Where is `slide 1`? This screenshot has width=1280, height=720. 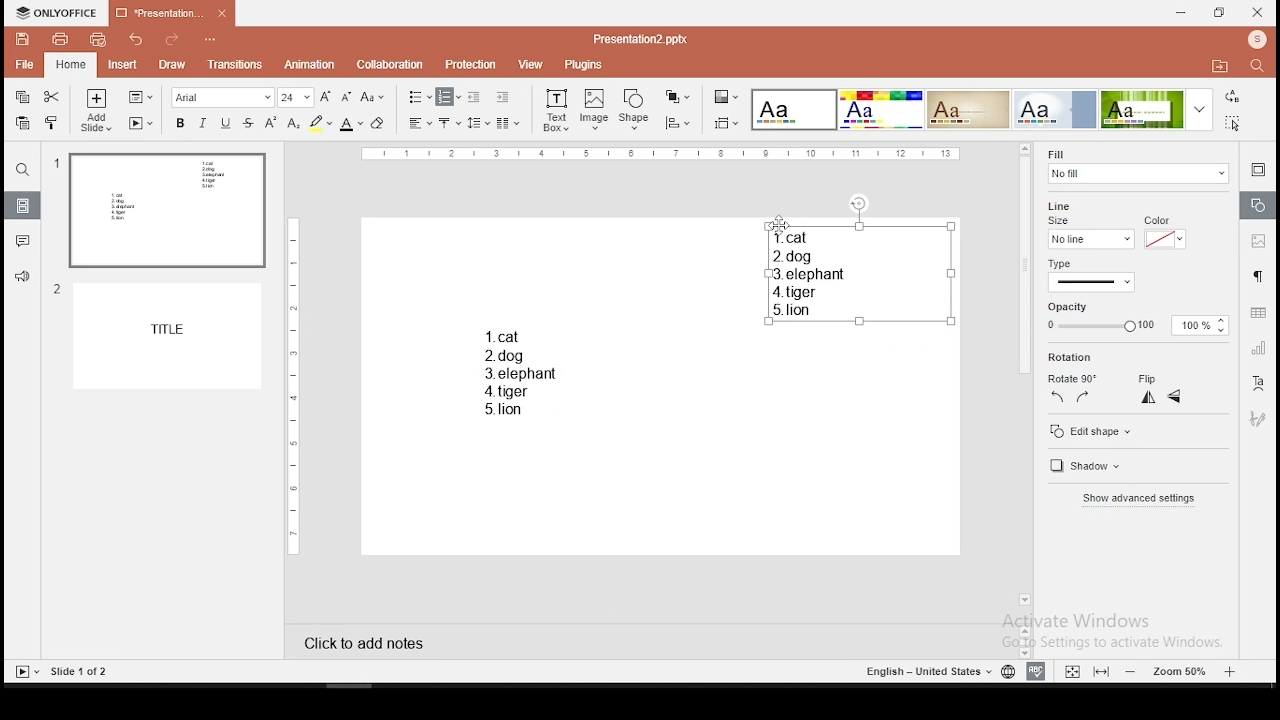 slide 1 is located at coordinates (166, 211).